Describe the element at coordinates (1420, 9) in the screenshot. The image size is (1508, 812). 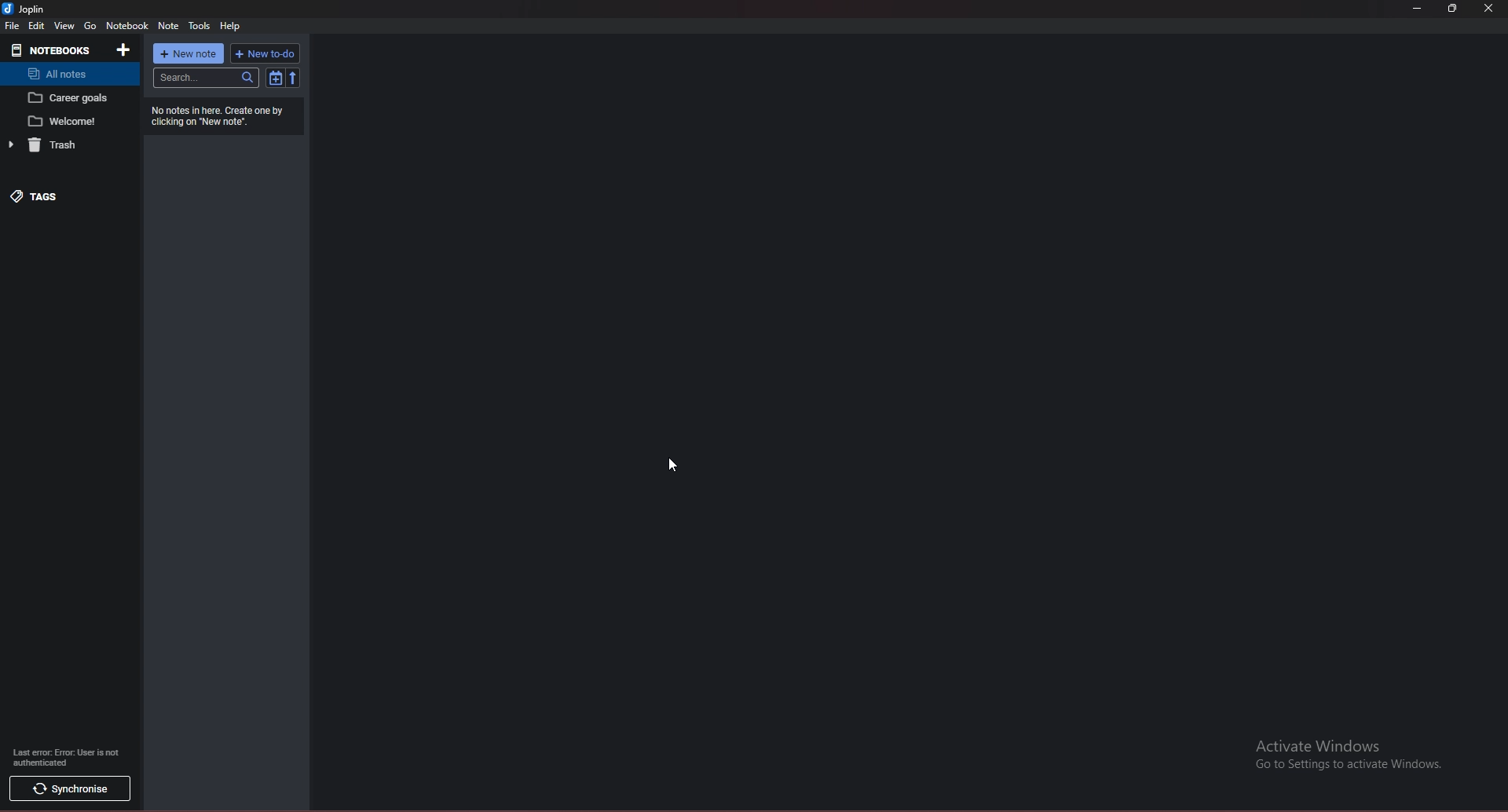
I see `minimize` at that location.